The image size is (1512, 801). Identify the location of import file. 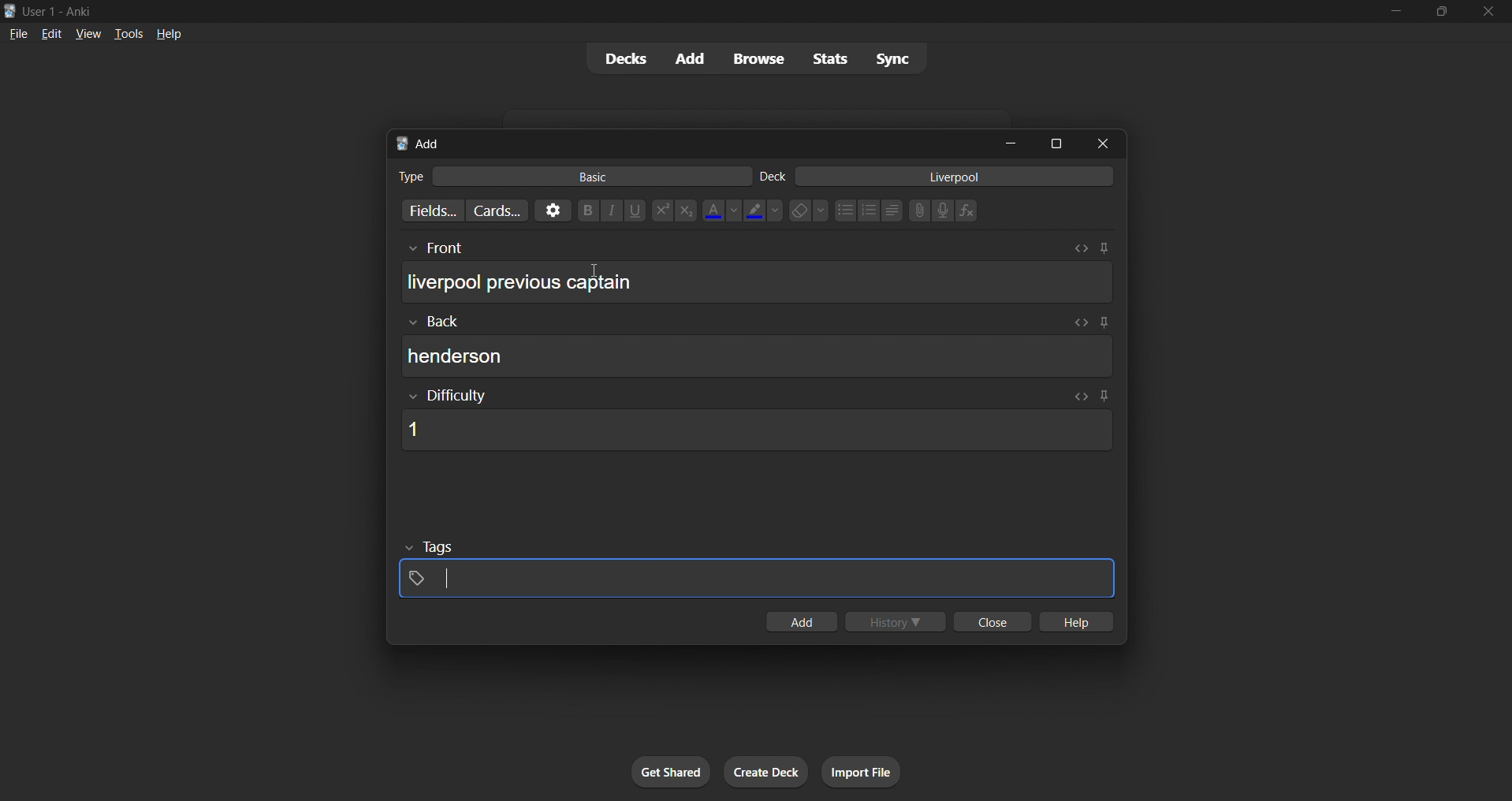
(867, 770).